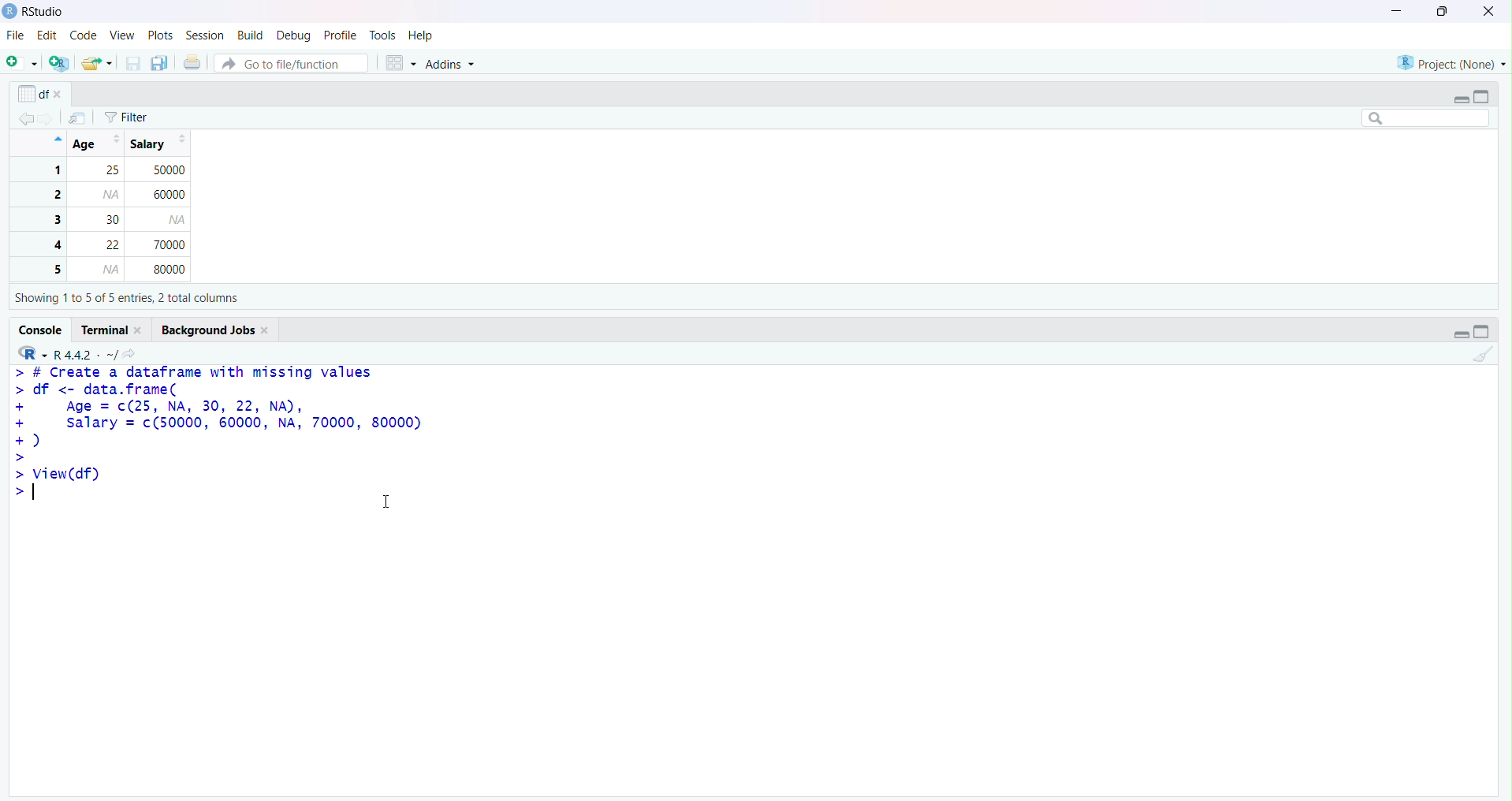 This screenshot has width=1512, height=801. Describe the element at coordinates (1421, 117) in the screenshot. I see `Search bar` at that location.